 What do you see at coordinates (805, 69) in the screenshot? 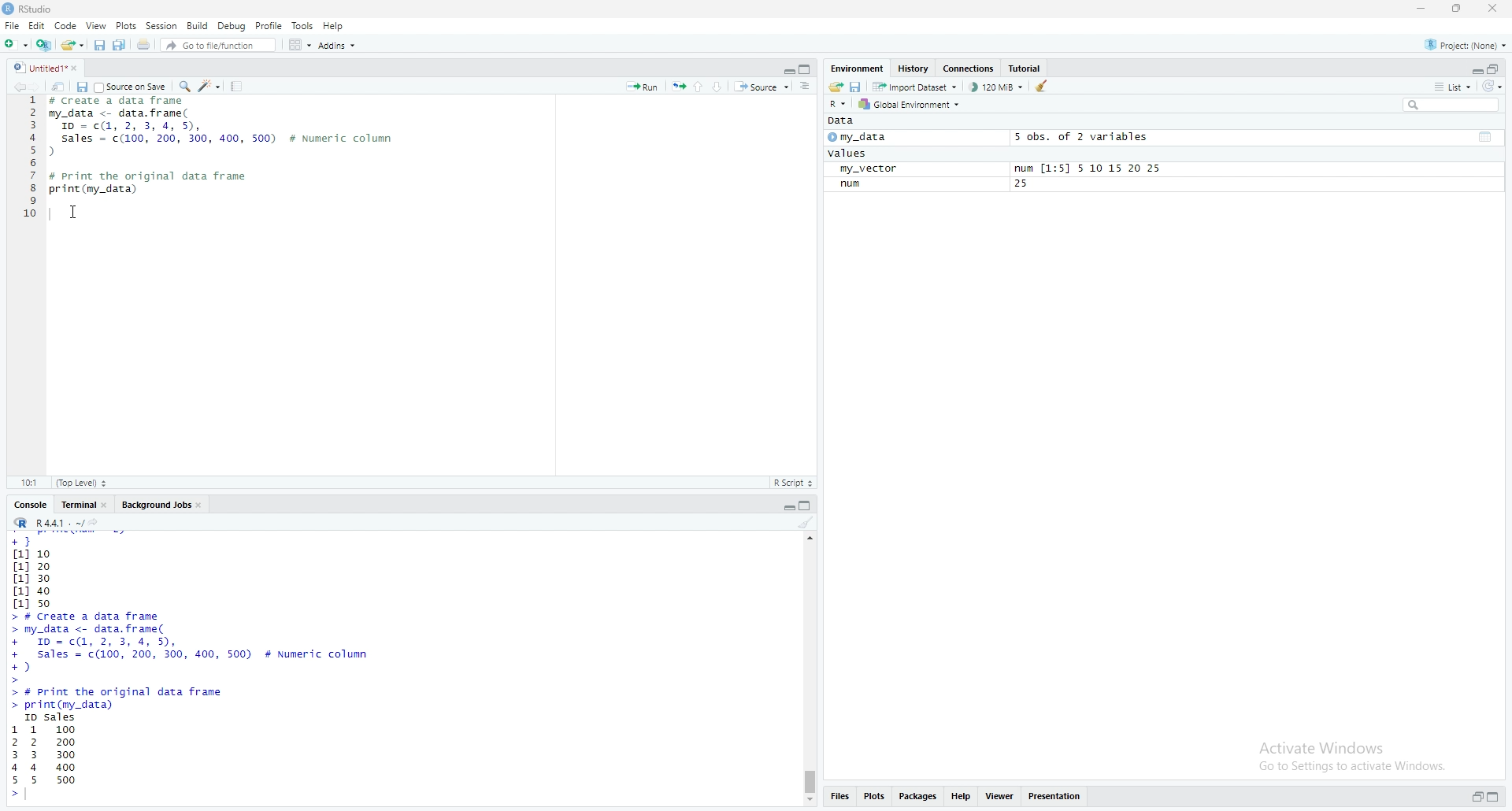
I see `maximize` at bounding box center [805, 69].